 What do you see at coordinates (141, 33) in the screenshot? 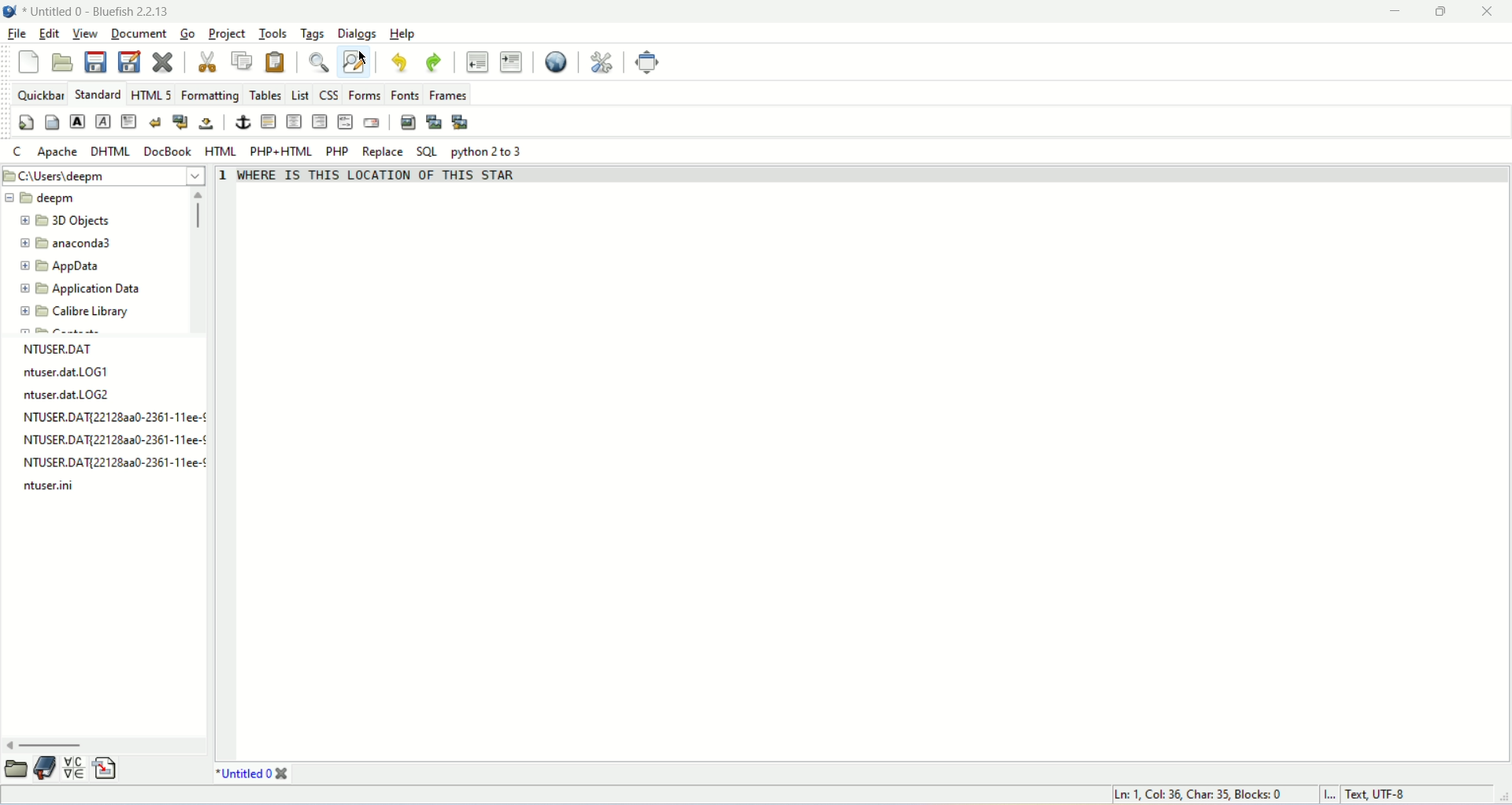
I see `document` at bounding box center [141, 33].